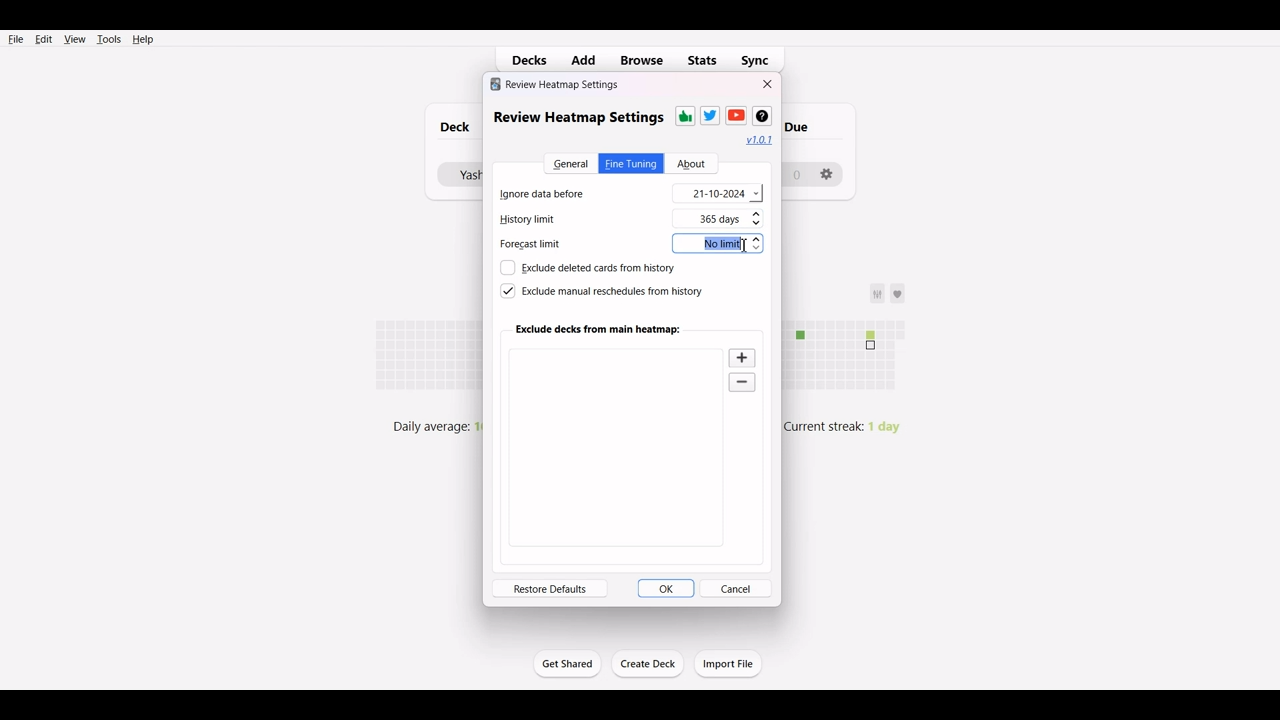 The height and width of the screenshot is (720, 1280). What do you see at coordinates (729, 663) in the screenshot?
I see `Import File` at bounding box center [729, 663].